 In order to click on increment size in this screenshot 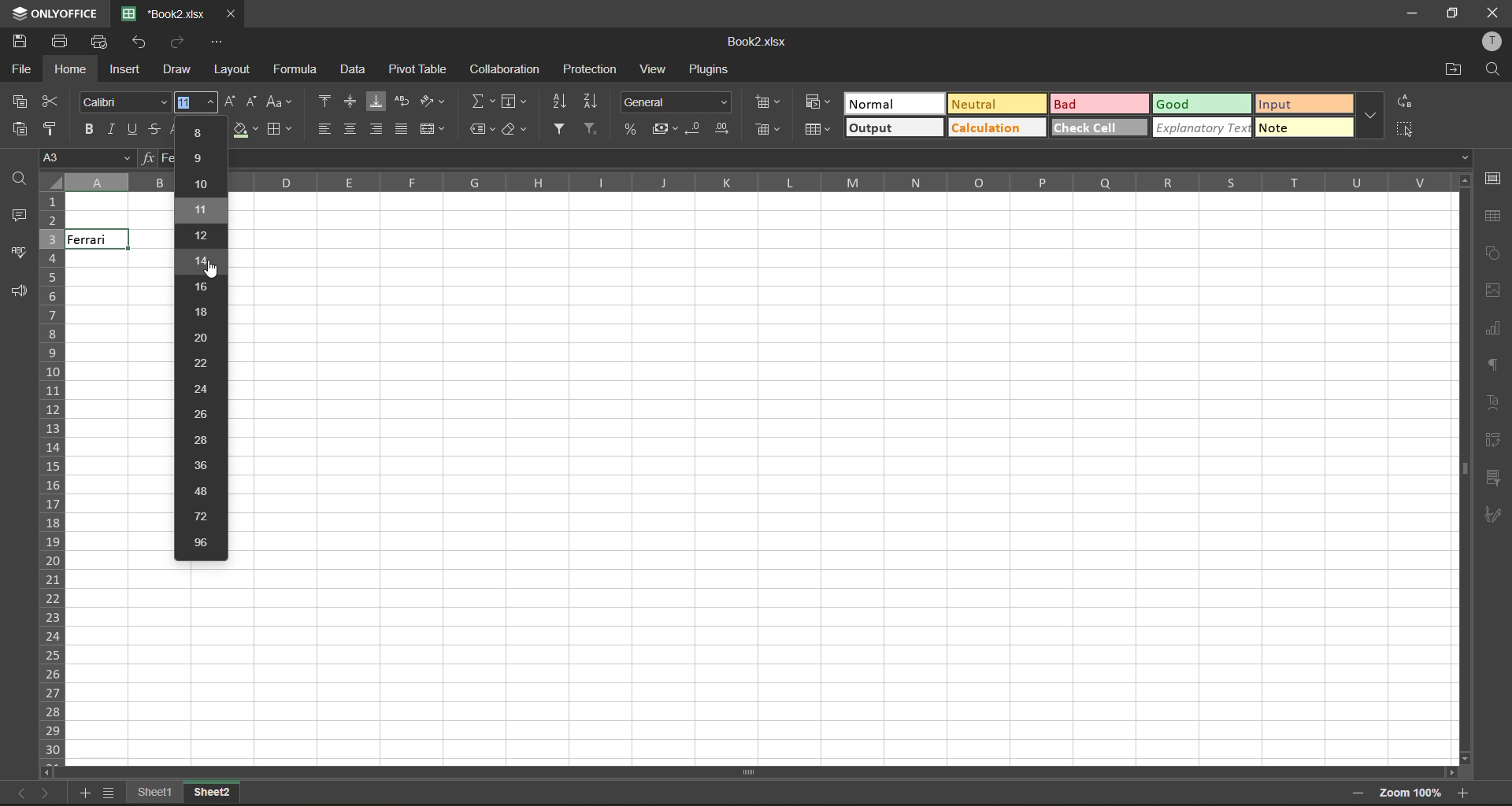, I will do `click(227, 102)`.